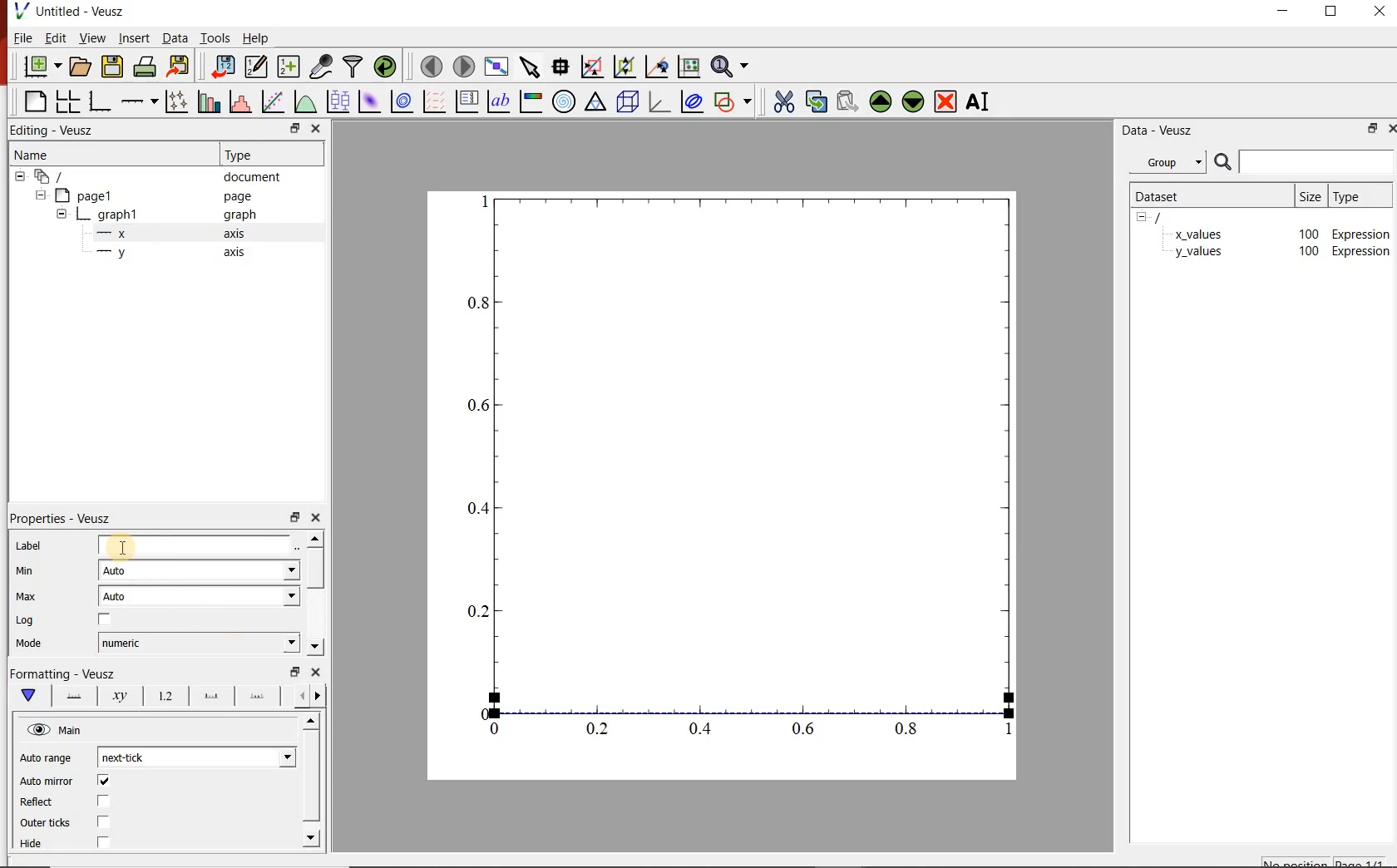 The image size is (1397, 868). What do you see at coordinates (1221, 162) in the screenshot?
I see `search` at bounding box center [1221, 162].